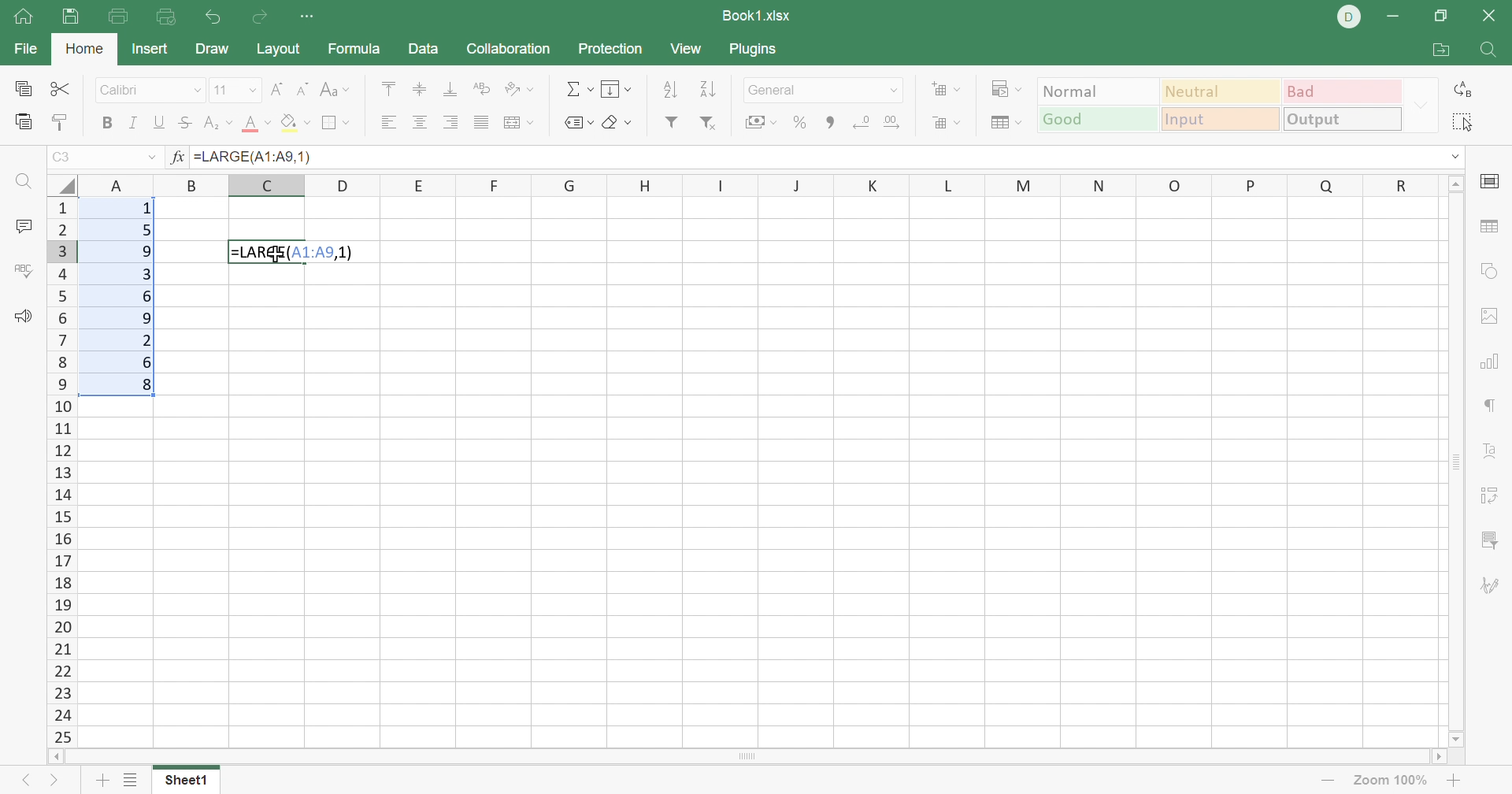  What do you see at coordinates (421, 124) in the screenshot?
I see `Align Center` at bounding box center [421, 124].